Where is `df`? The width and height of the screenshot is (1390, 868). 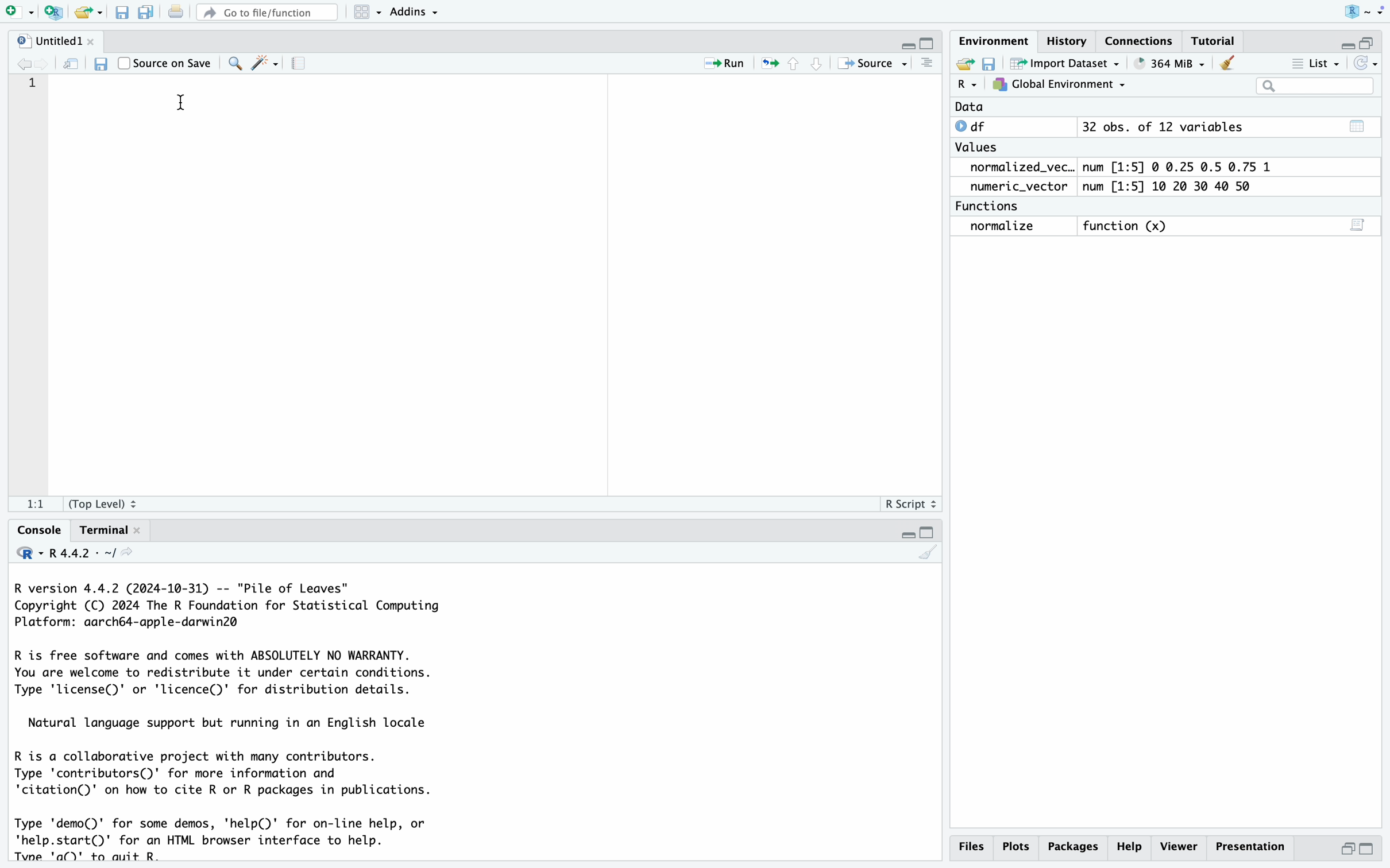 df is located at coordinates (975, 126).